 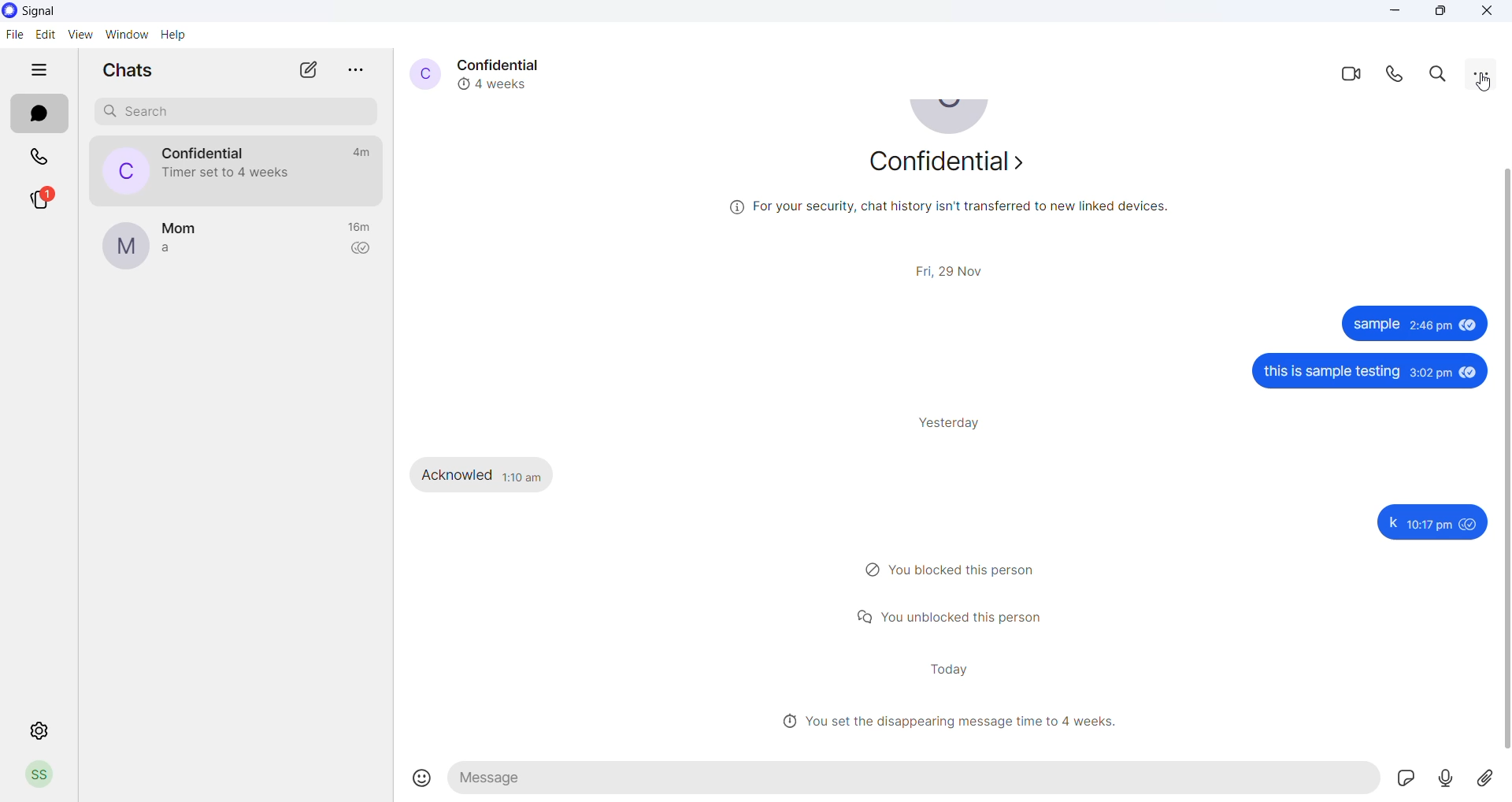 I want to click on contact, so click(x=183, y=227).